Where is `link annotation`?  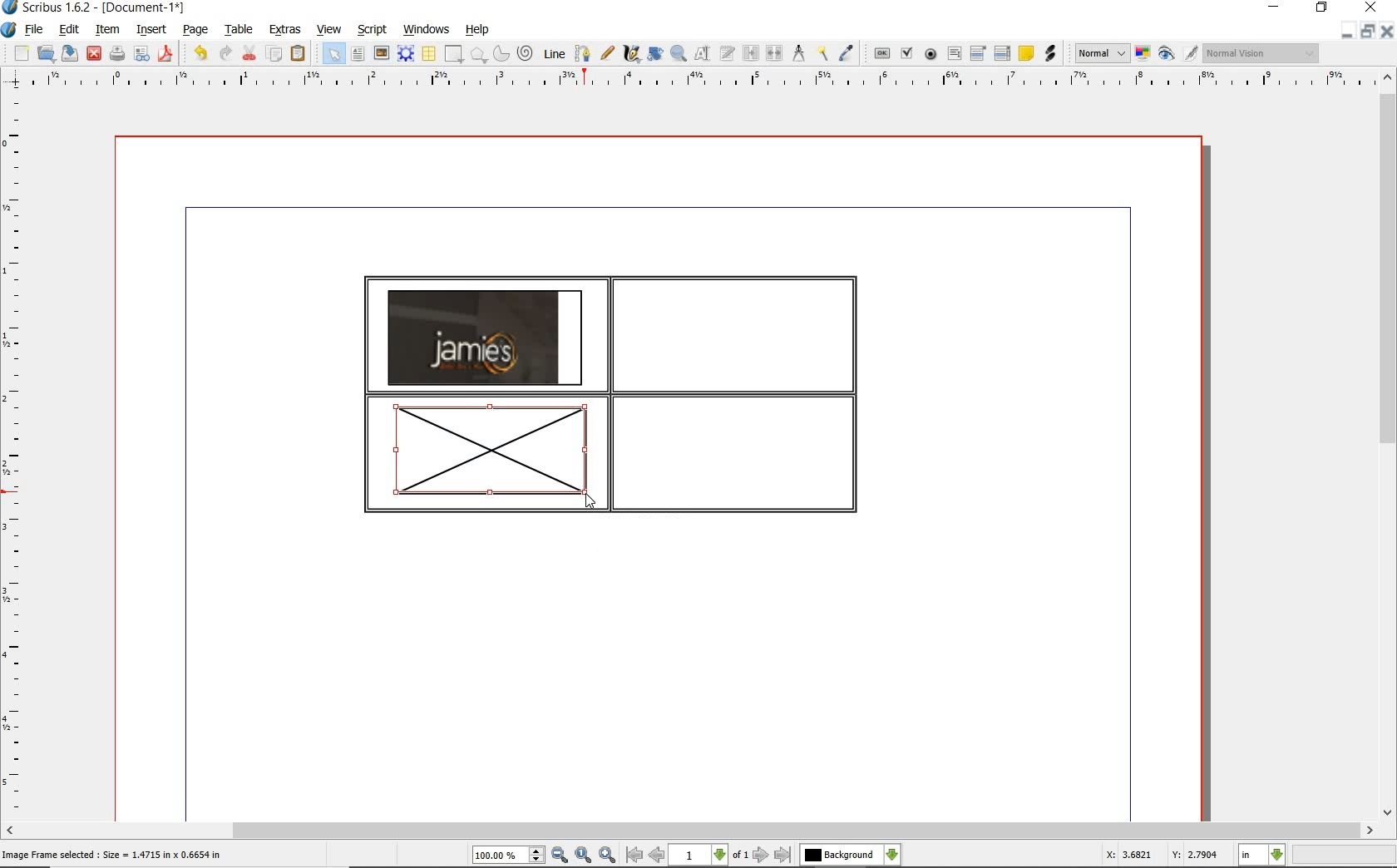 link annotation is located at coordinates (1049, 53).